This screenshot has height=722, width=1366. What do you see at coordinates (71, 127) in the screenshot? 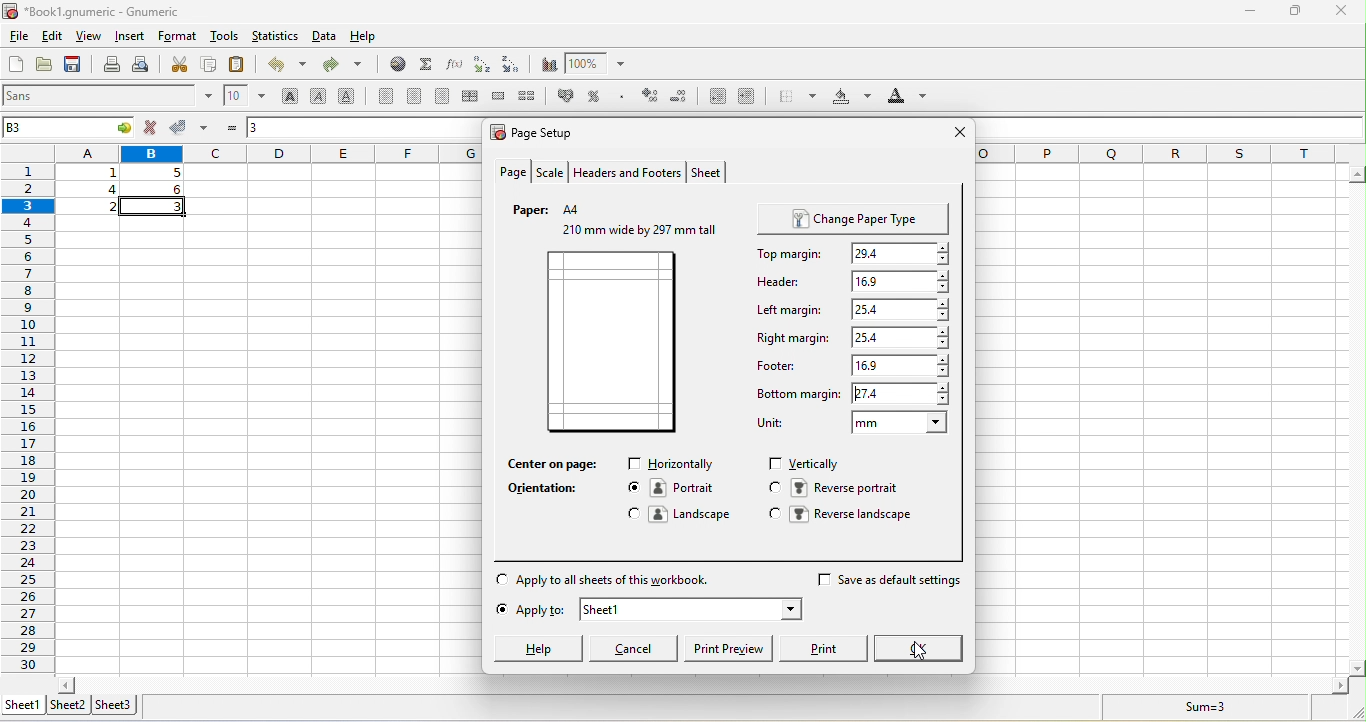
I see `b3` at bounding box center [71, 127].